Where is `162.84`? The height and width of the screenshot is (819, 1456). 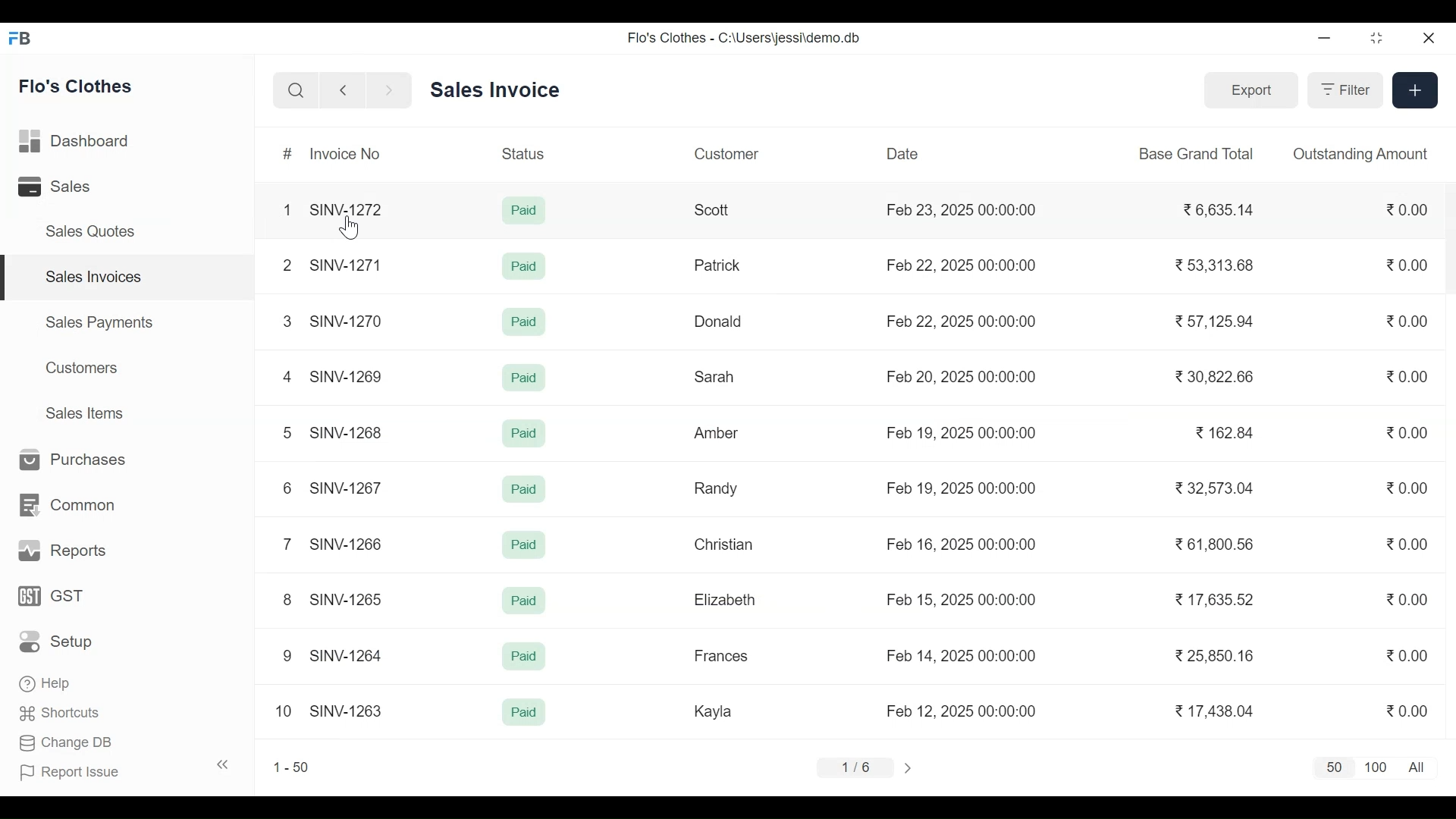 162.84 is located at coordinates (1226, 433).